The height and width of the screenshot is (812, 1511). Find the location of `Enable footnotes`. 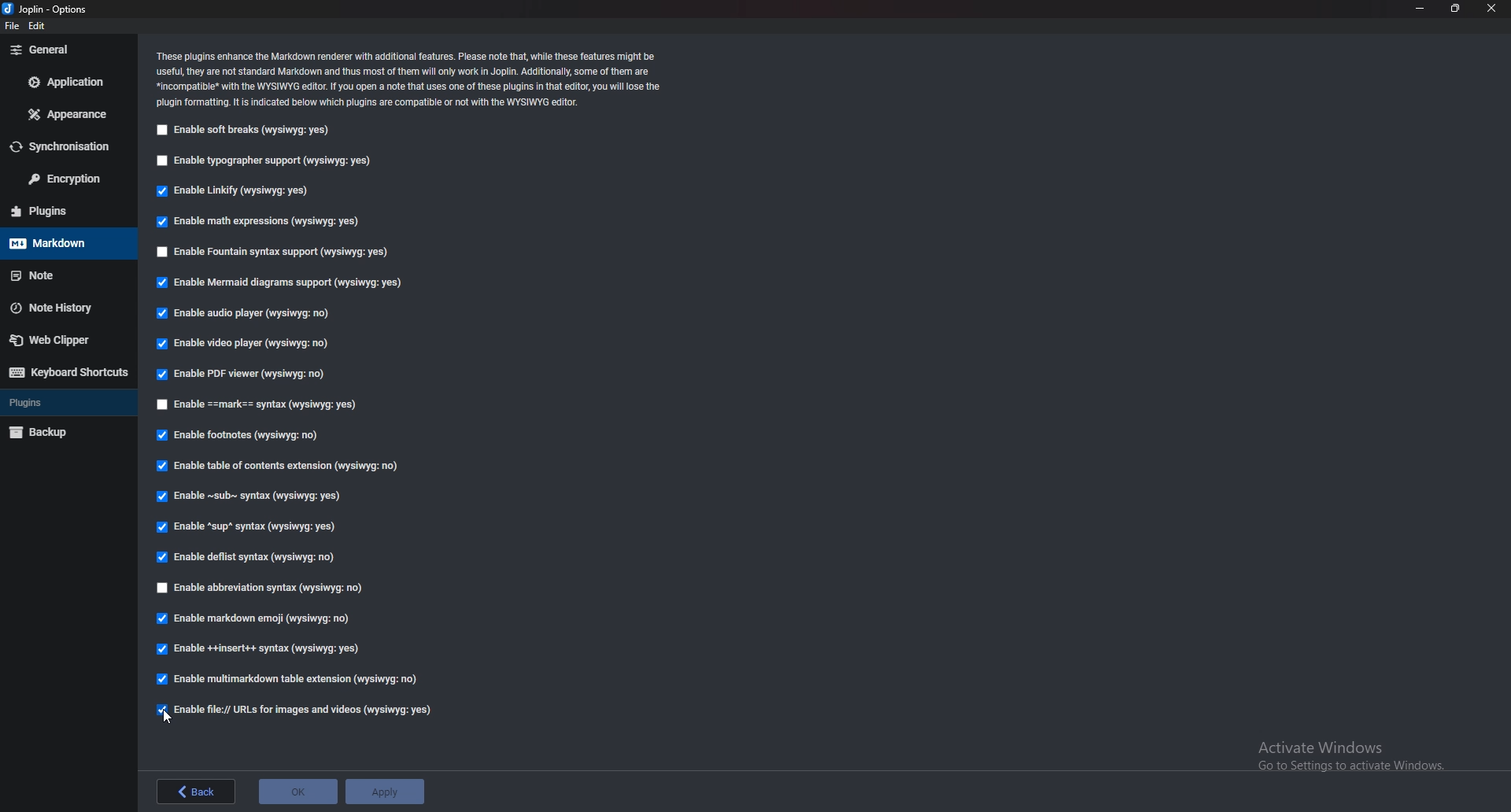

Enable footnotes is located at coordinates (238, 437).